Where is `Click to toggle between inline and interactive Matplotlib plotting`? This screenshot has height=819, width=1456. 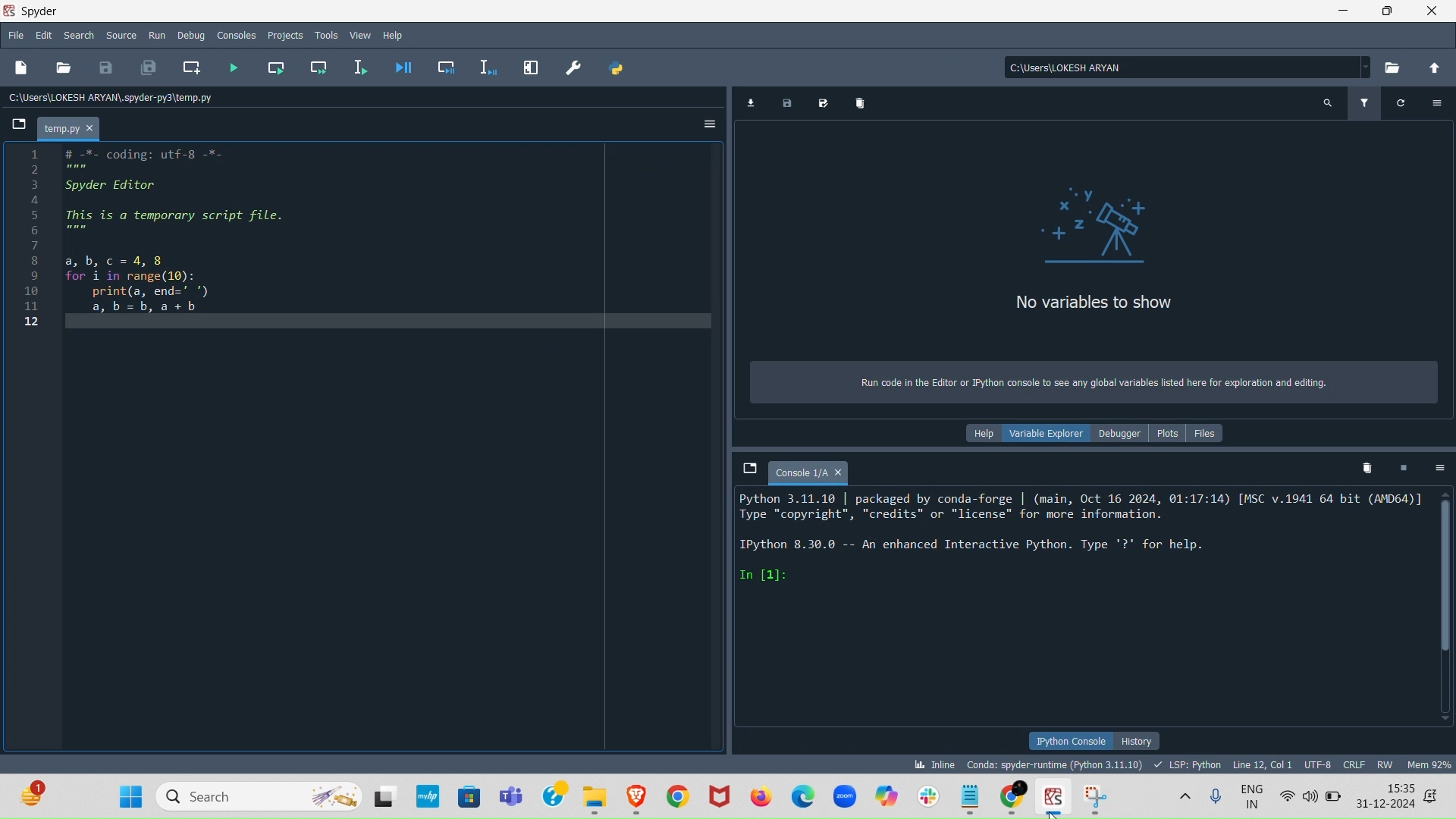
Click to toggle between inline and interactive Matplotlib plotting is located at coordinates (931, 761).